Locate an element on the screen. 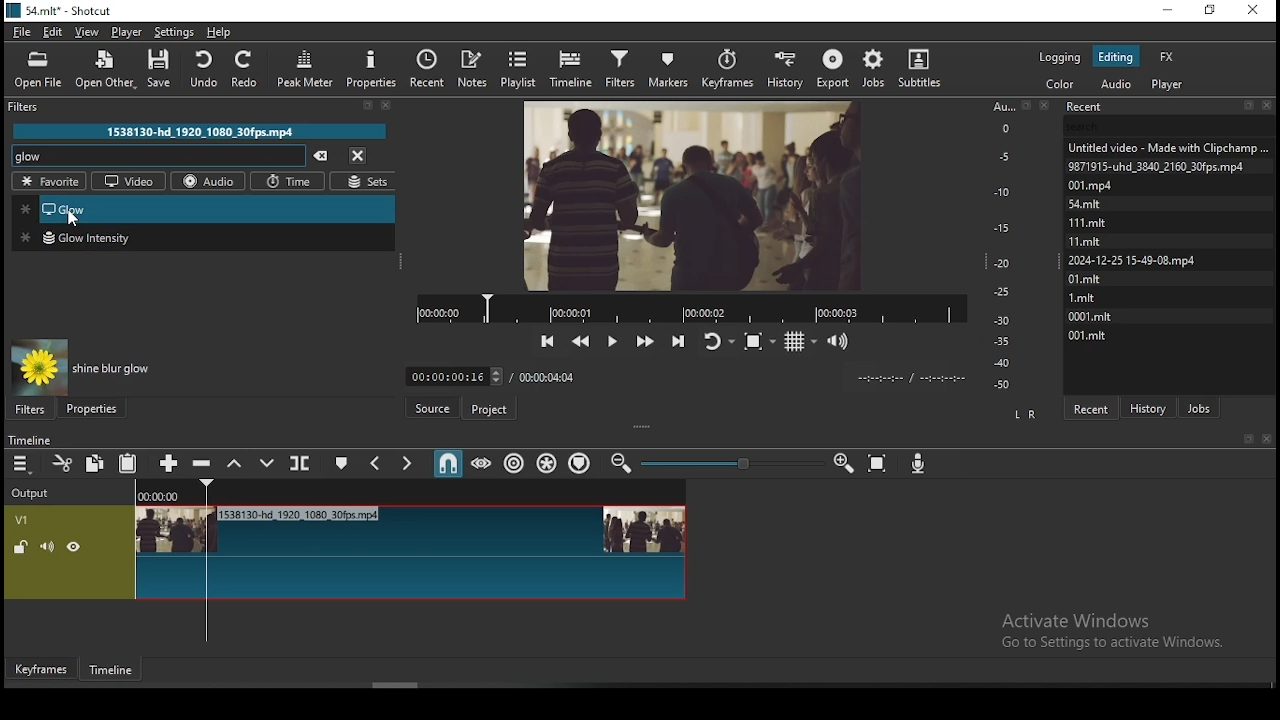 The image size is (1280, 720). play quickly forwards is located at coordinates (644, 340).